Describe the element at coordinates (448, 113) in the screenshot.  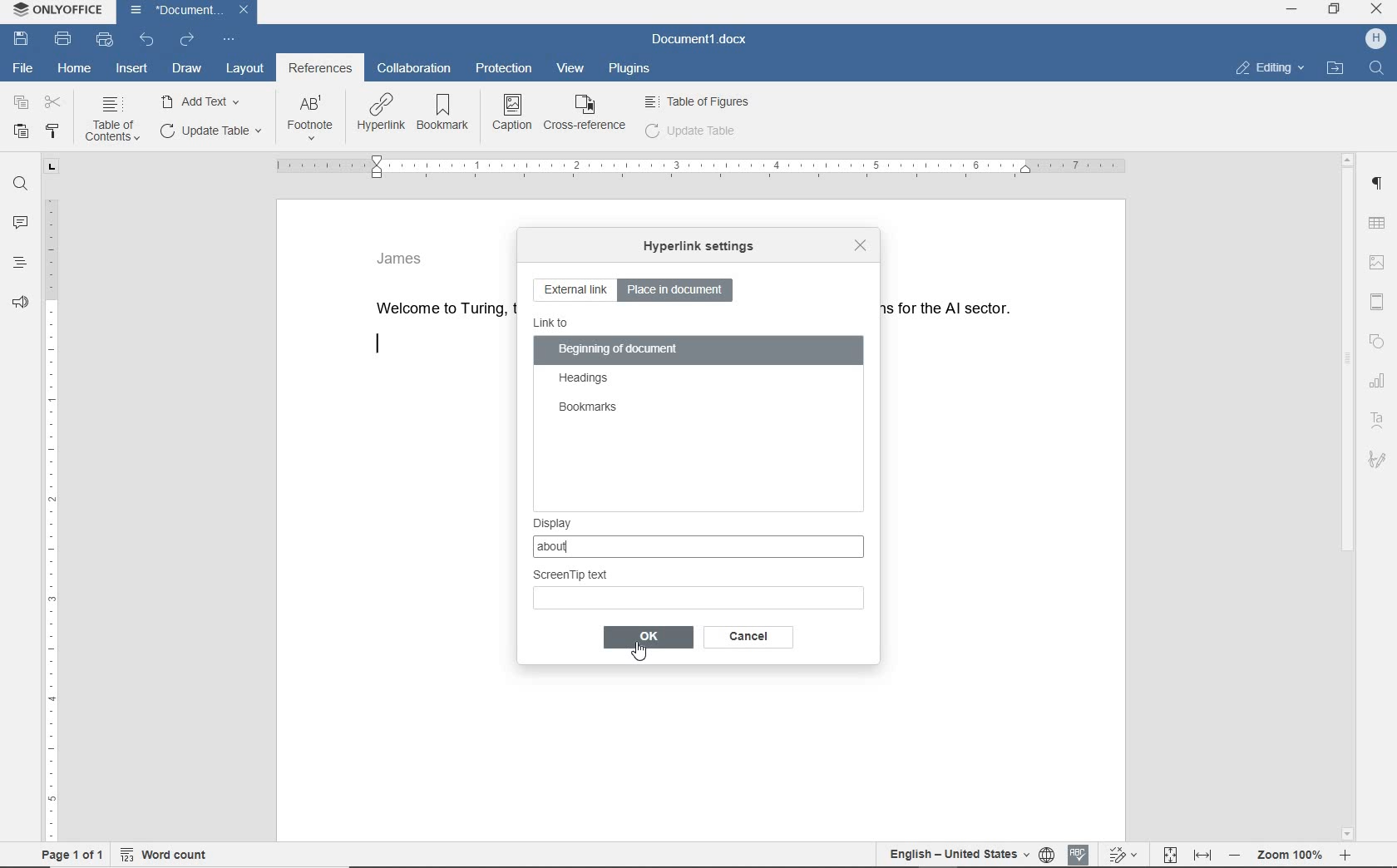
I see `BOOKMARK` at that location.